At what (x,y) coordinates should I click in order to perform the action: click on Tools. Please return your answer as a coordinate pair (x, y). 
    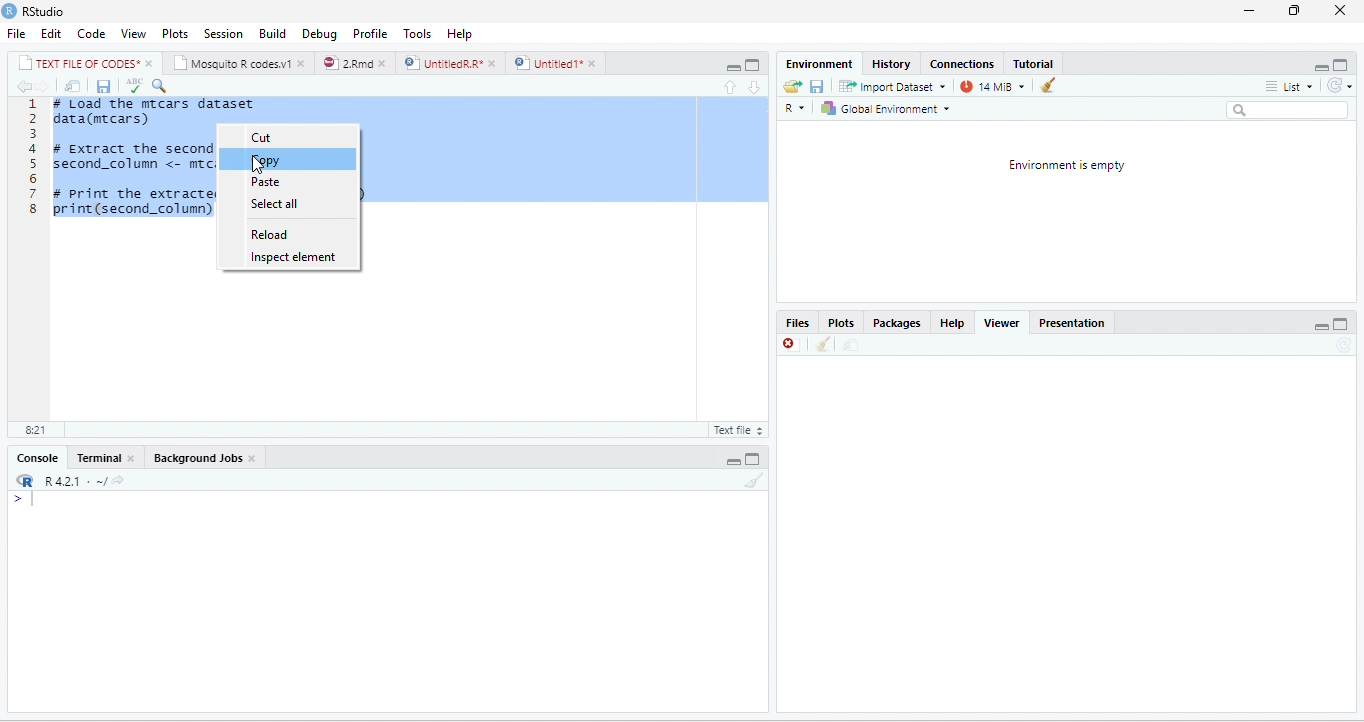
    Looking at the image, I should click on (418, 32).